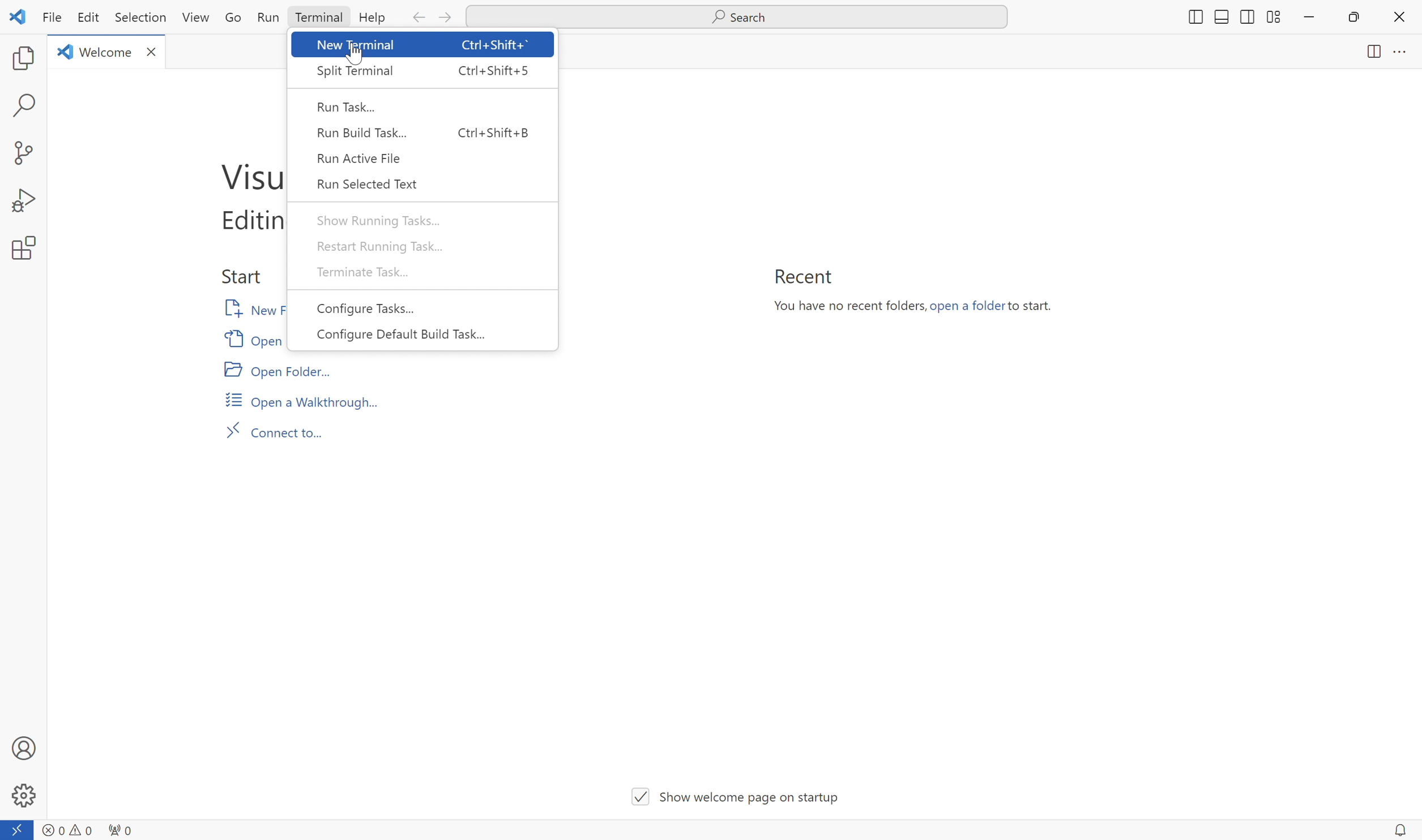 This screenshot has width=1422, height=840. What do you see at coordinates (122, 828) in the screenshot?
I see `network` at bounding box center [122, 828].